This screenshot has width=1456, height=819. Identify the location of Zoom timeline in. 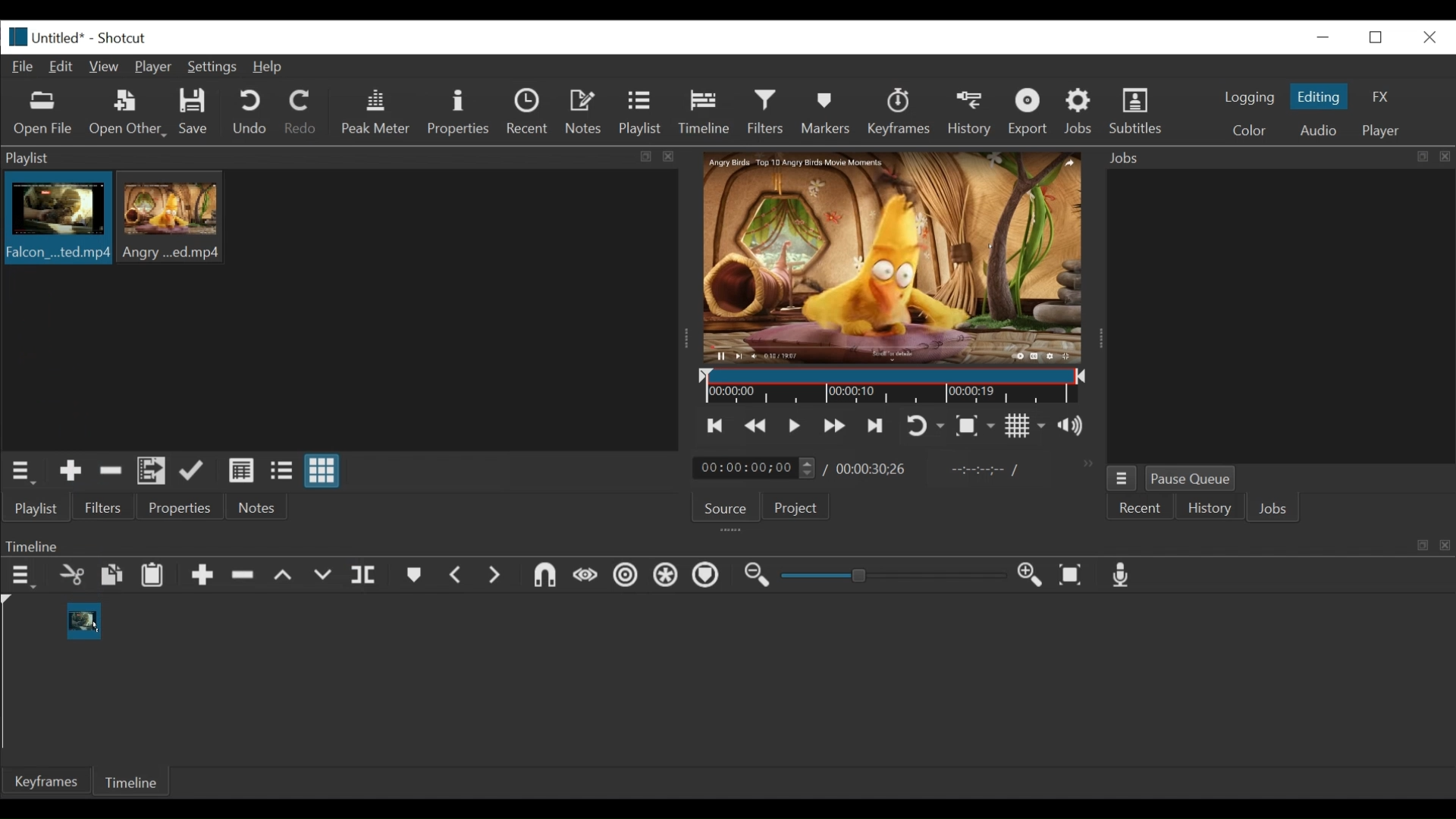
(755, 577).